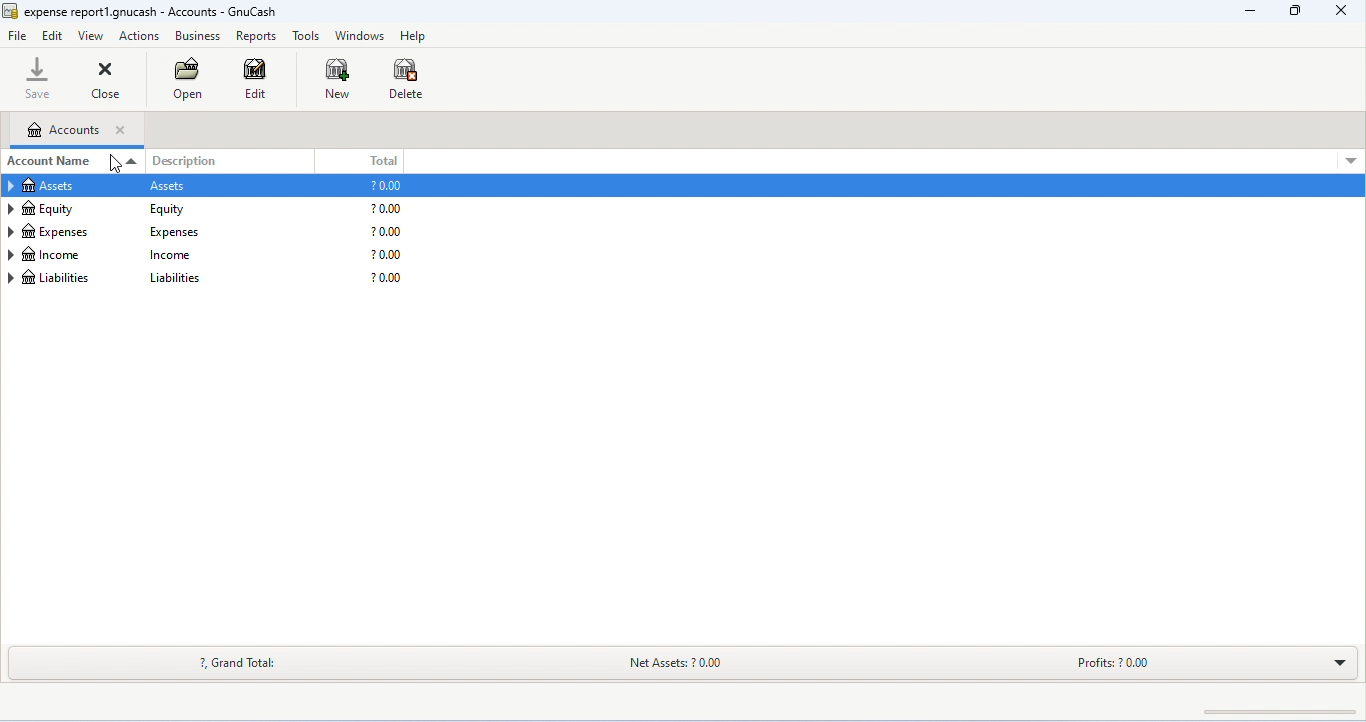 The height and width of the screenshot is (722, 1366). Describe the element at coordinates (52, 161) in the screenshot. I see `account name` at that location.